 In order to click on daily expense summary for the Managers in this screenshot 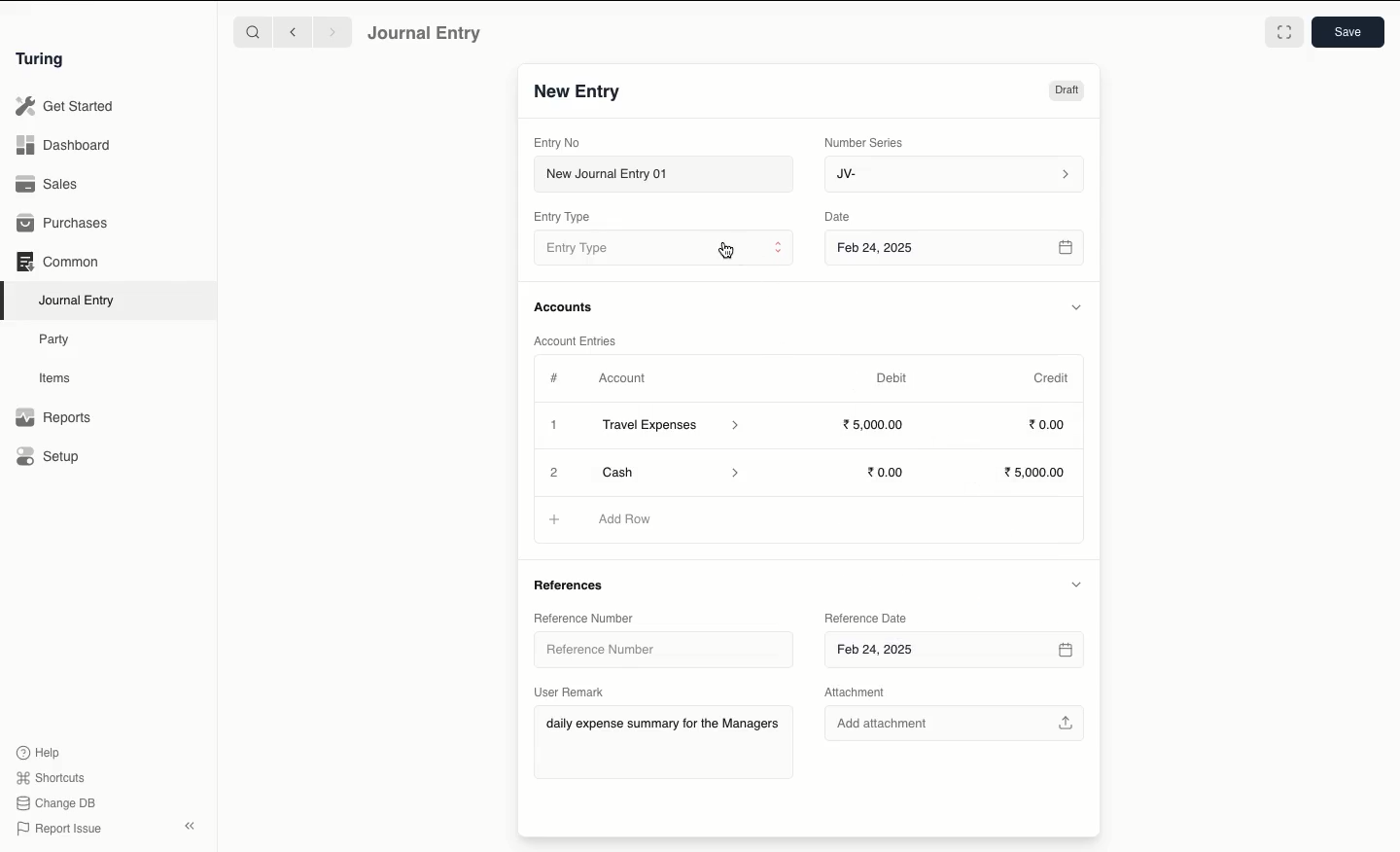, I will do `click(663, 727)`.